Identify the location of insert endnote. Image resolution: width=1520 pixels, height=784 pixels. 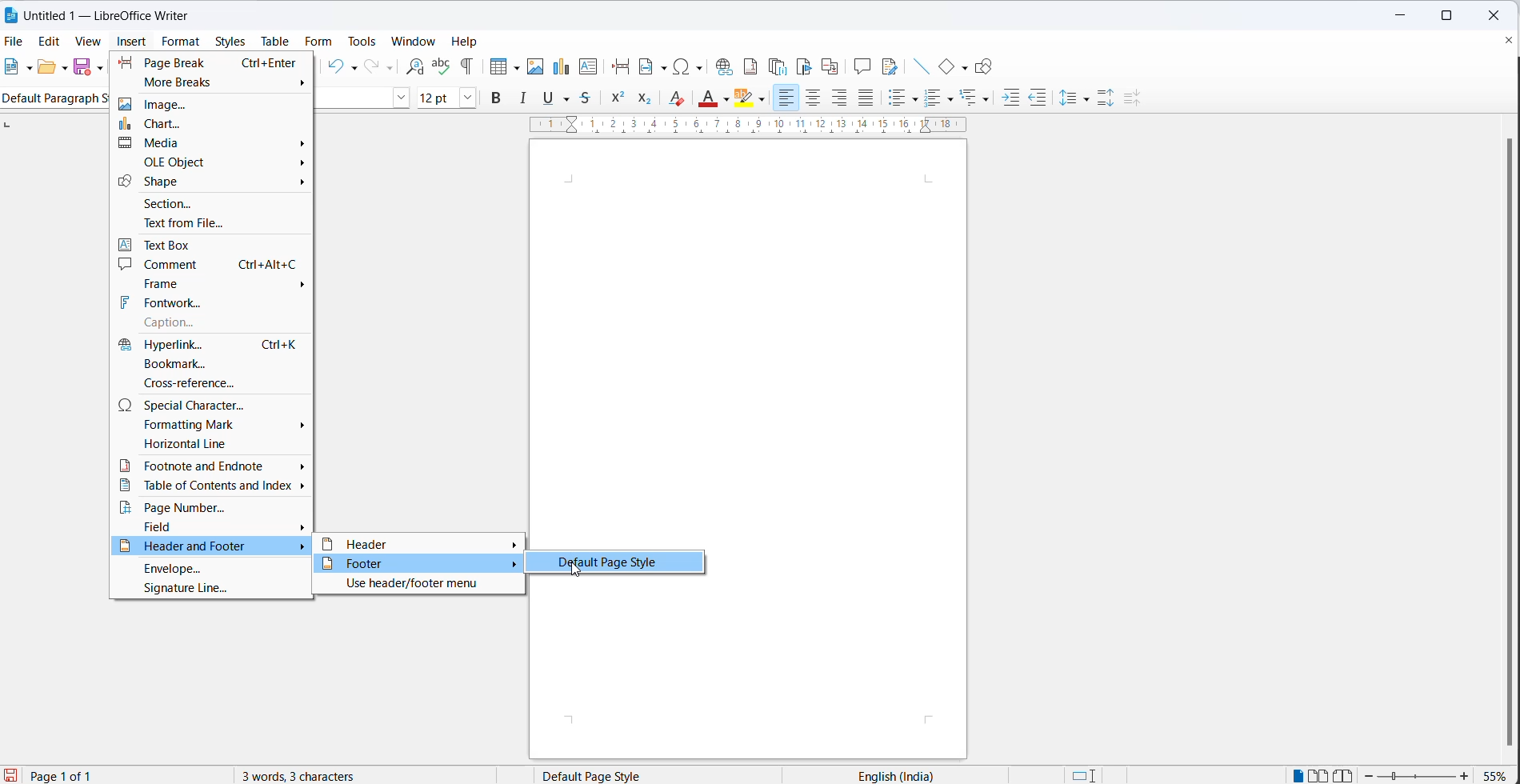
(782, 66).